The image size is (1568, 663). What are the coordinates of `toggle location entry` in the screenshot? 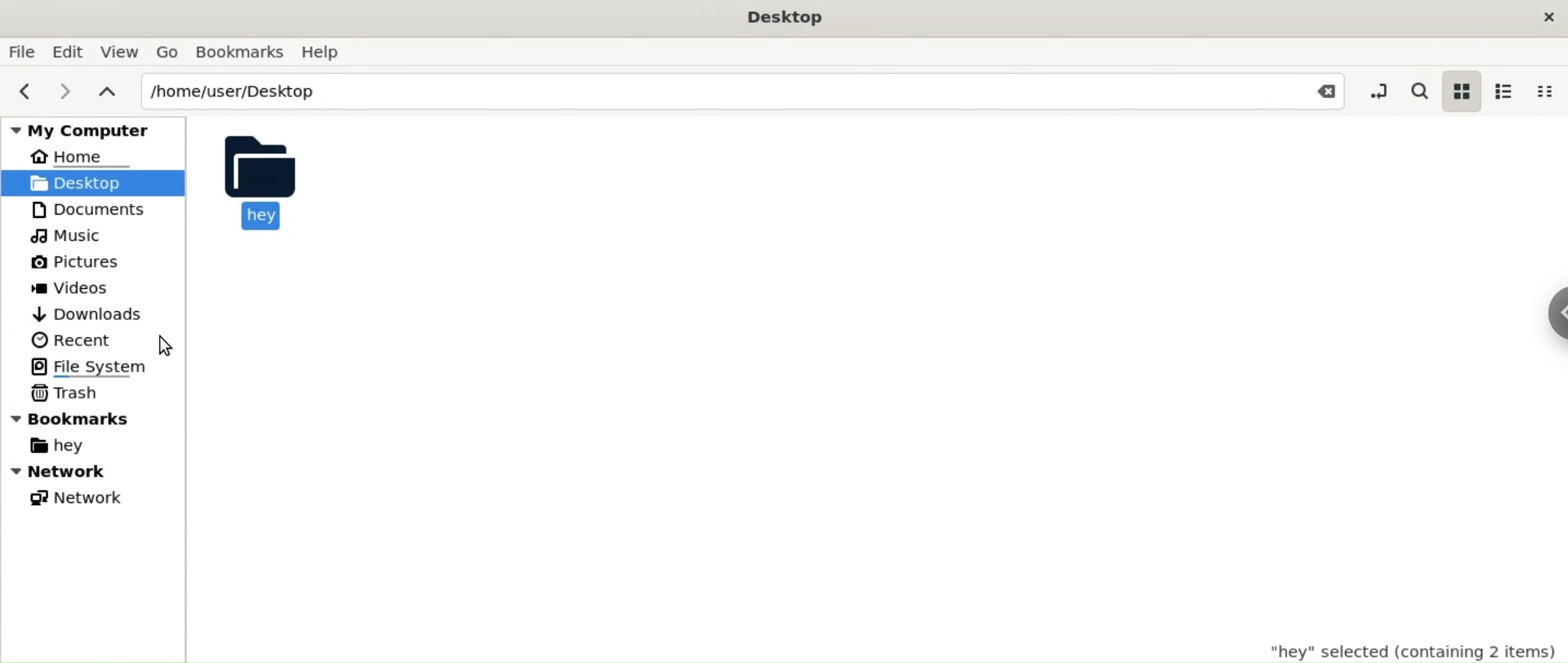 It's located at (1374, 88).